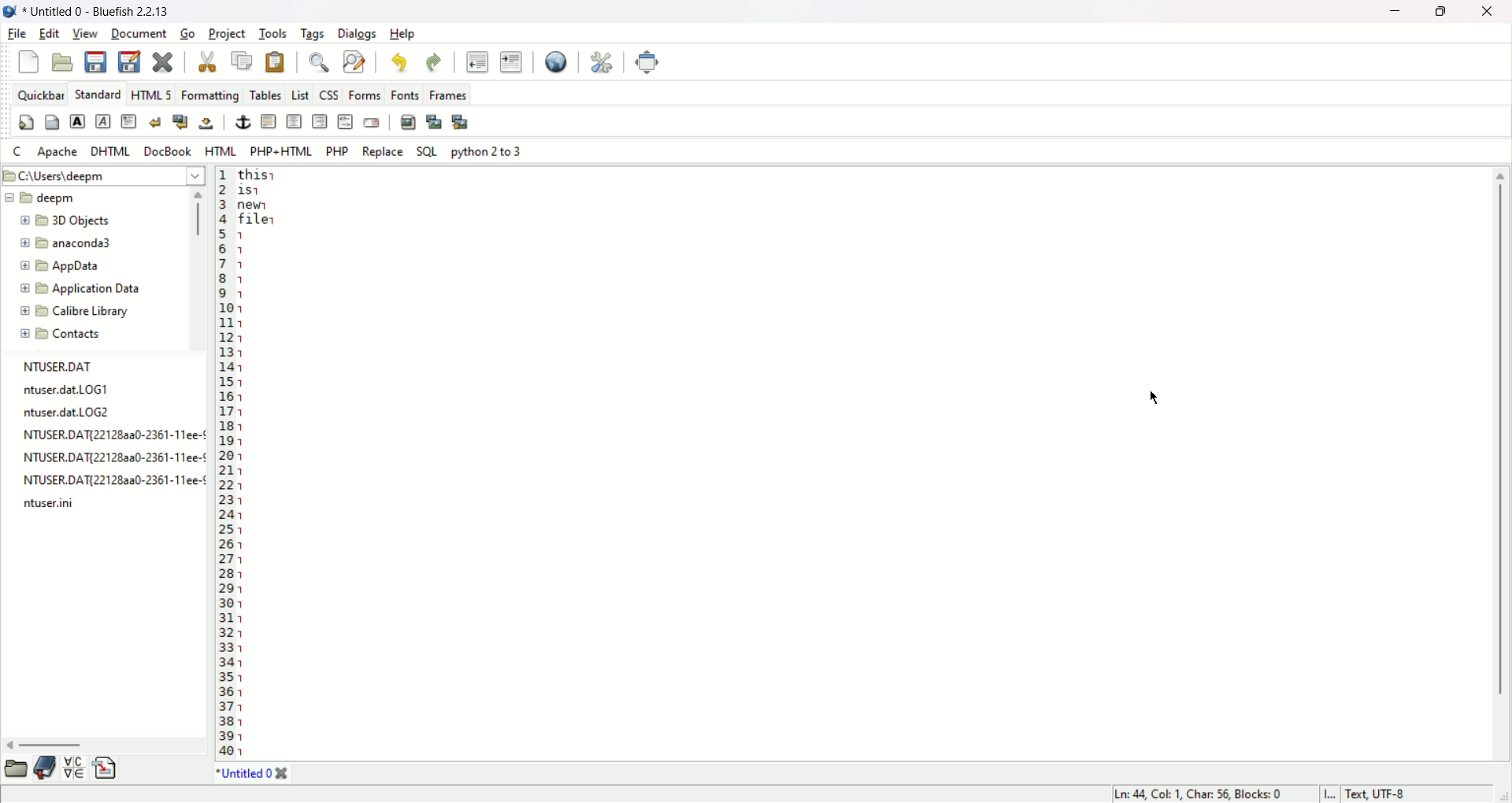 This screenshot has width=1512, height=803. Describe the element at coordinates (139, 35) in the screenshot. I see `document` at that location.